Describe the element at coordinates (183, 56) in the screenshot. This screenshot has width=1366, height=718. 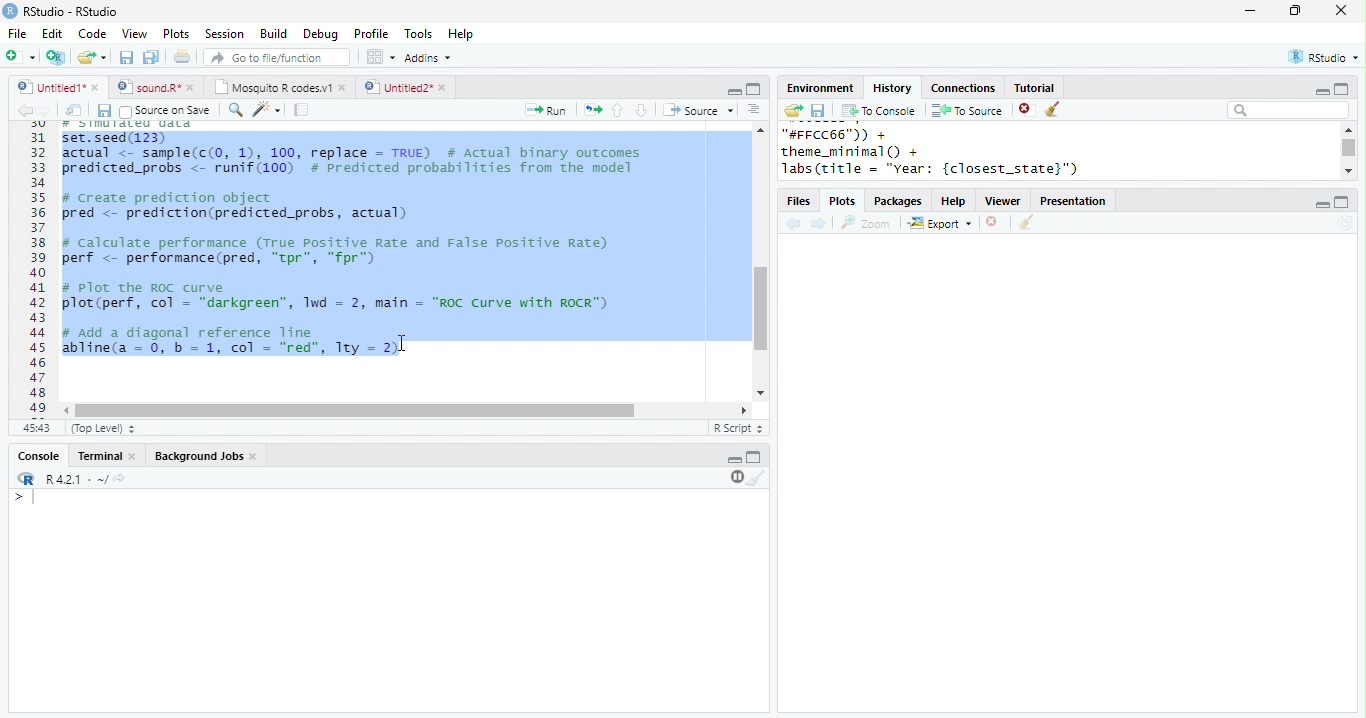
I see `print` at that location.